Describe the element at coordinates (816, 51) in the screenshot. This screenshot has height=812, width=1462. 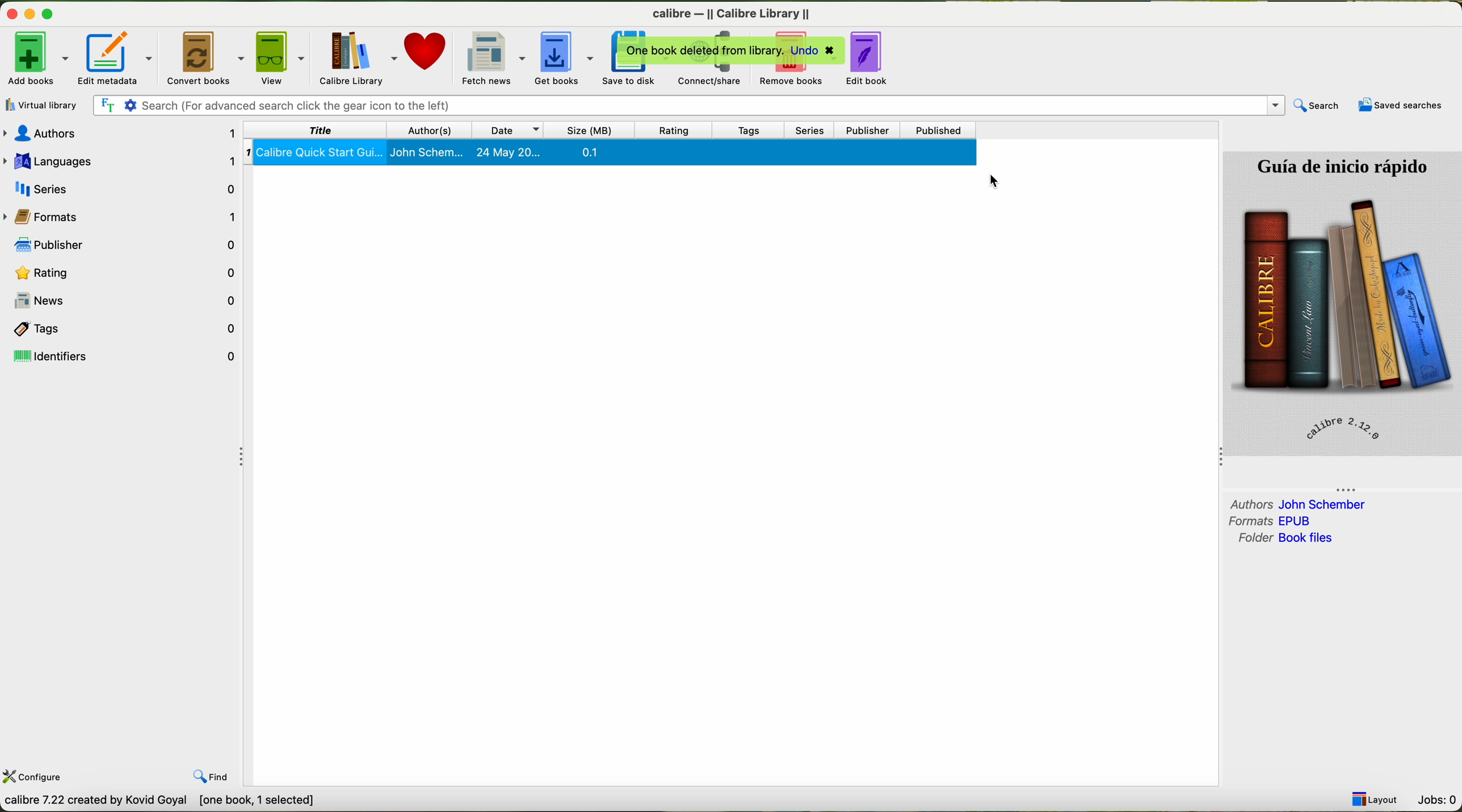
I see `undo` at that location.